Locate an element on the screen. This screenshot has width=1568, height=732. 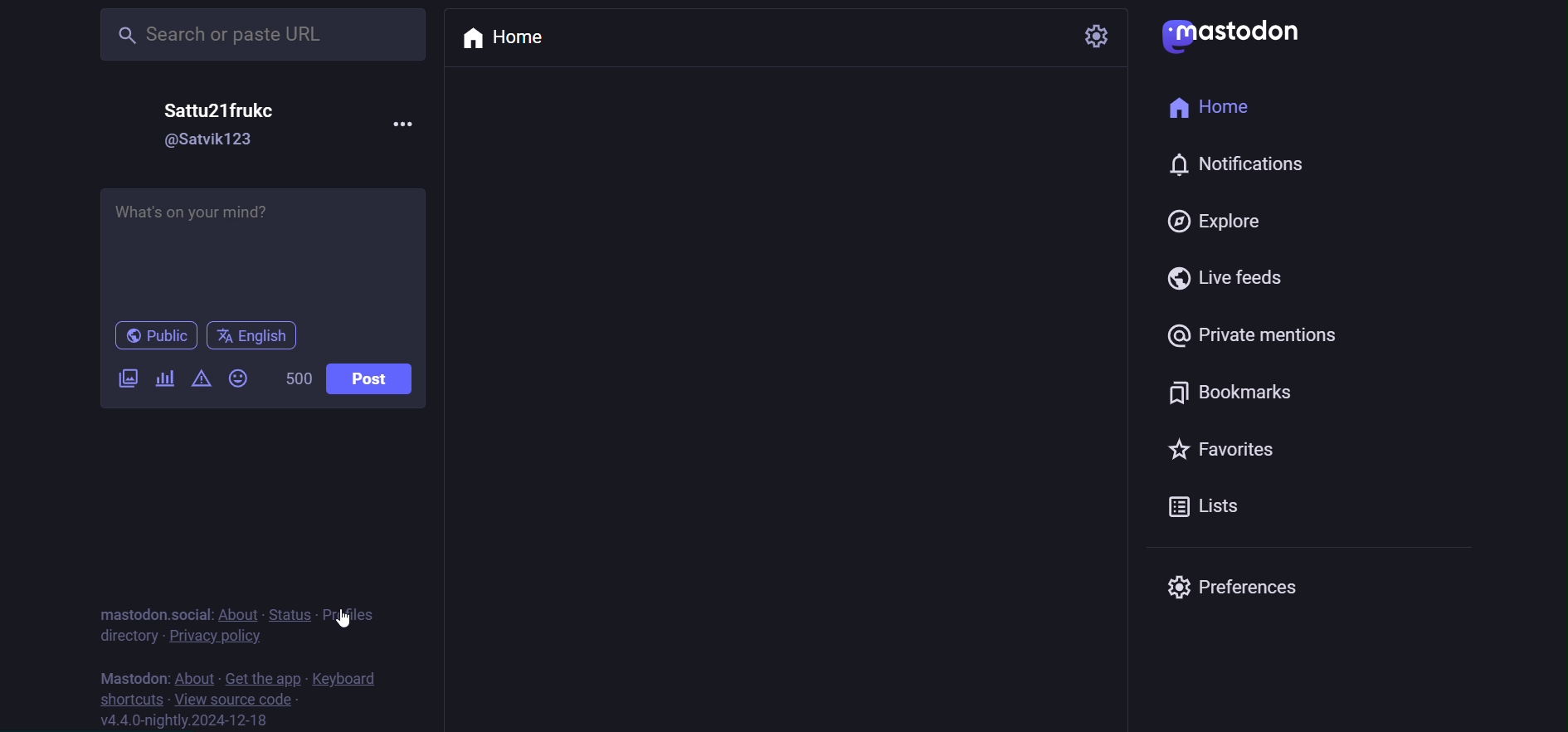
favorites is located at coordinates (1237, 448).